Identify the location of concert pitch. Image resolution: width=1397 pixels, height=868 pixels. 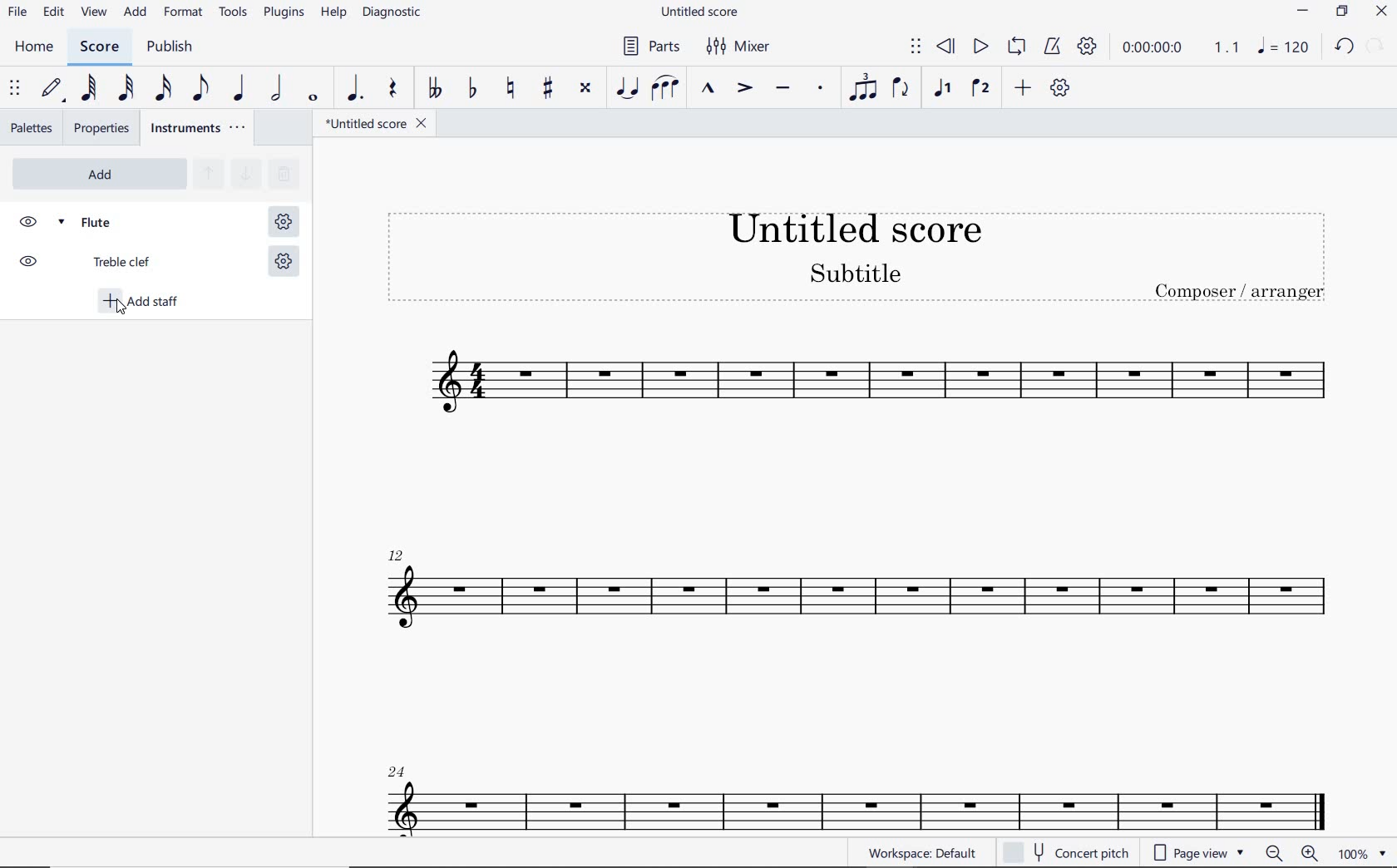
(1069, 852).